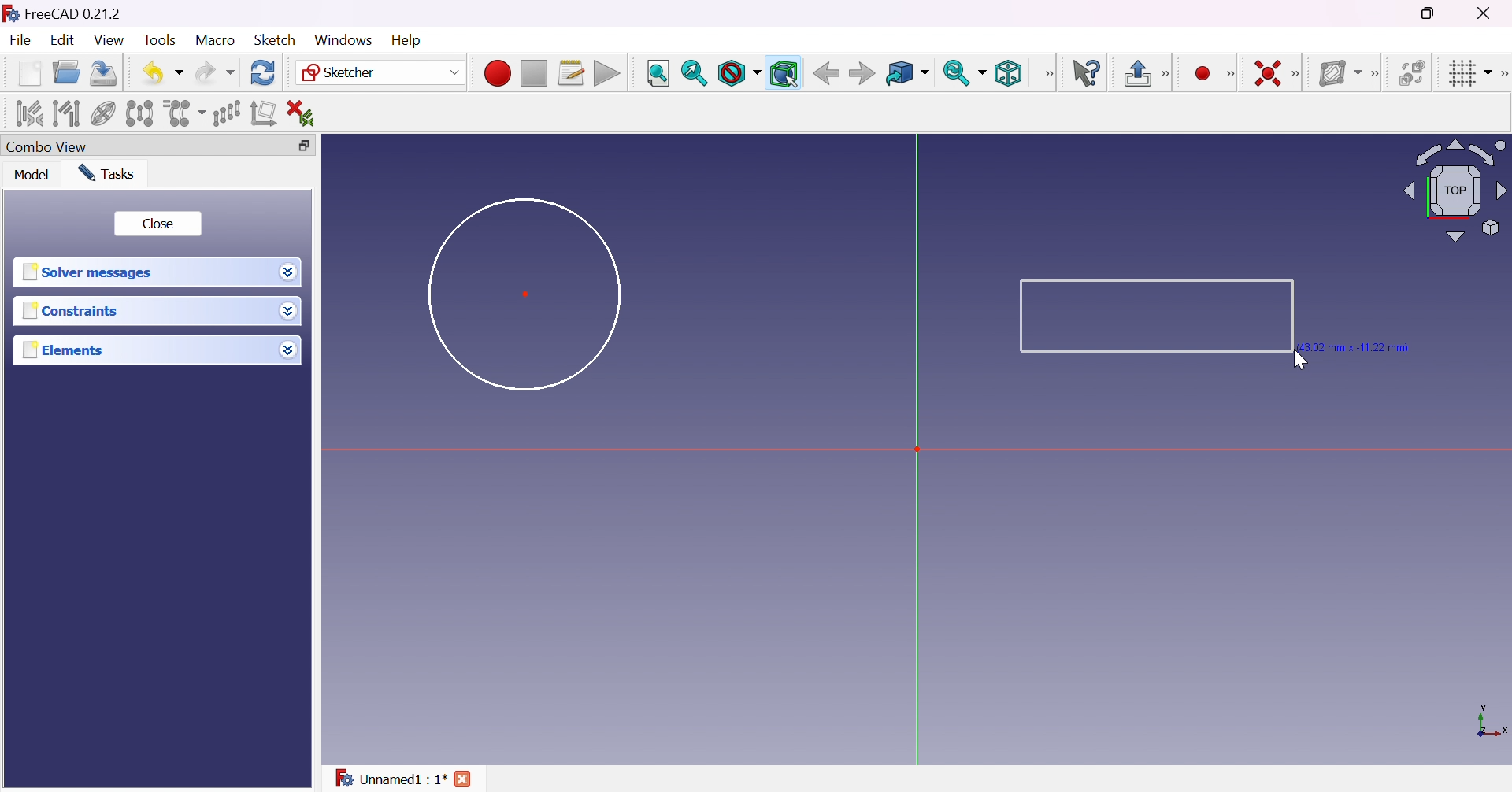 The width and height of the screenshot is (1512, 792). I want to click on Select associated geometry, so click(67, 112).